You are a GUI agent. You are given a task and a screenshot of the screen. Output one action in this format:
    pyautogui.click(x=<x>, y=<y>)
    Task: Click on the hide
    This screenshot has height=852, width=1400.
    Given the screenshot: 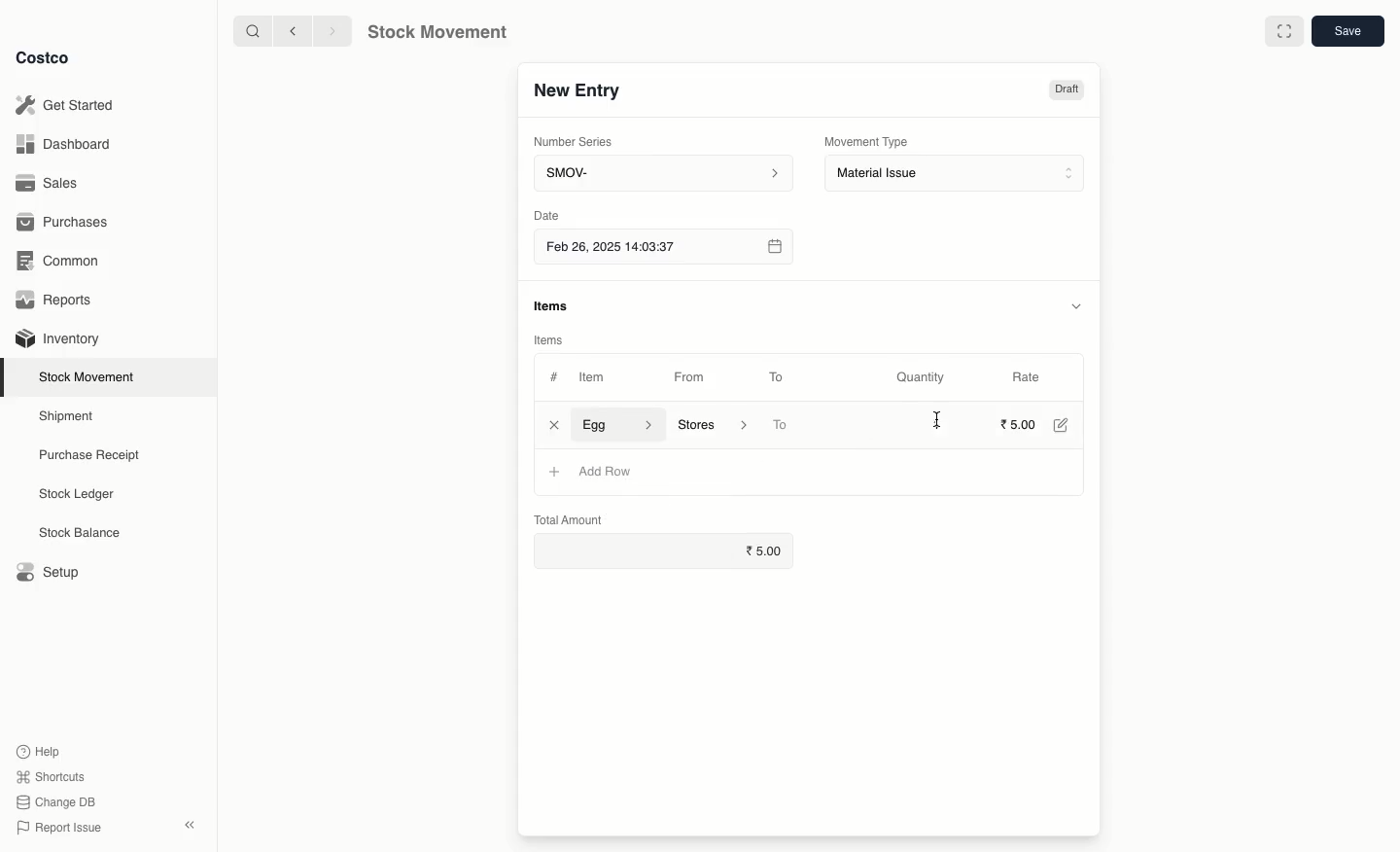 What is the action you would take?
    pyautogui.click(x=1079, y=304)
    